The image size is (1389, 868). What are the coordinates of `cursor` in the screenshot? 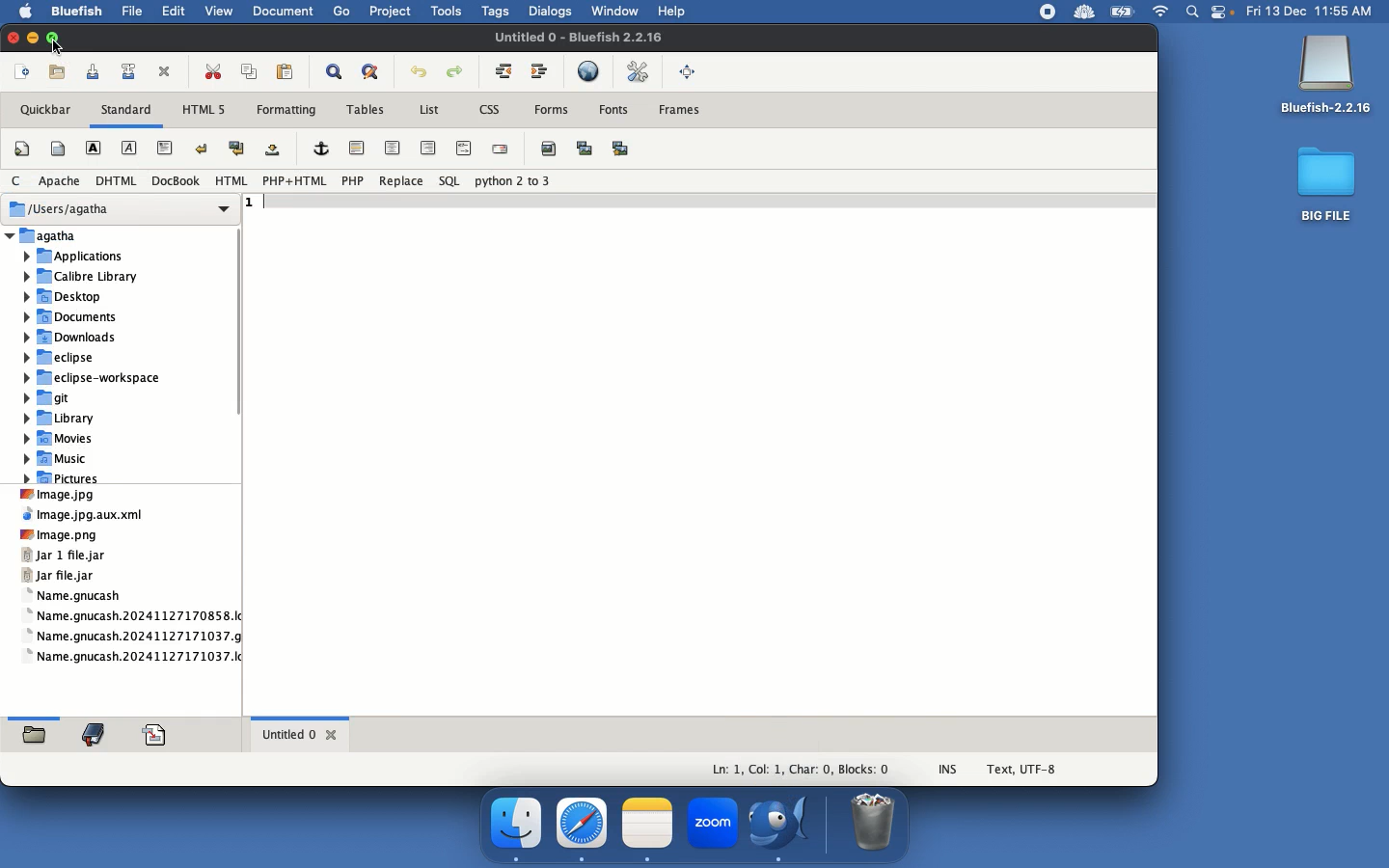 It's located at (69, 47).